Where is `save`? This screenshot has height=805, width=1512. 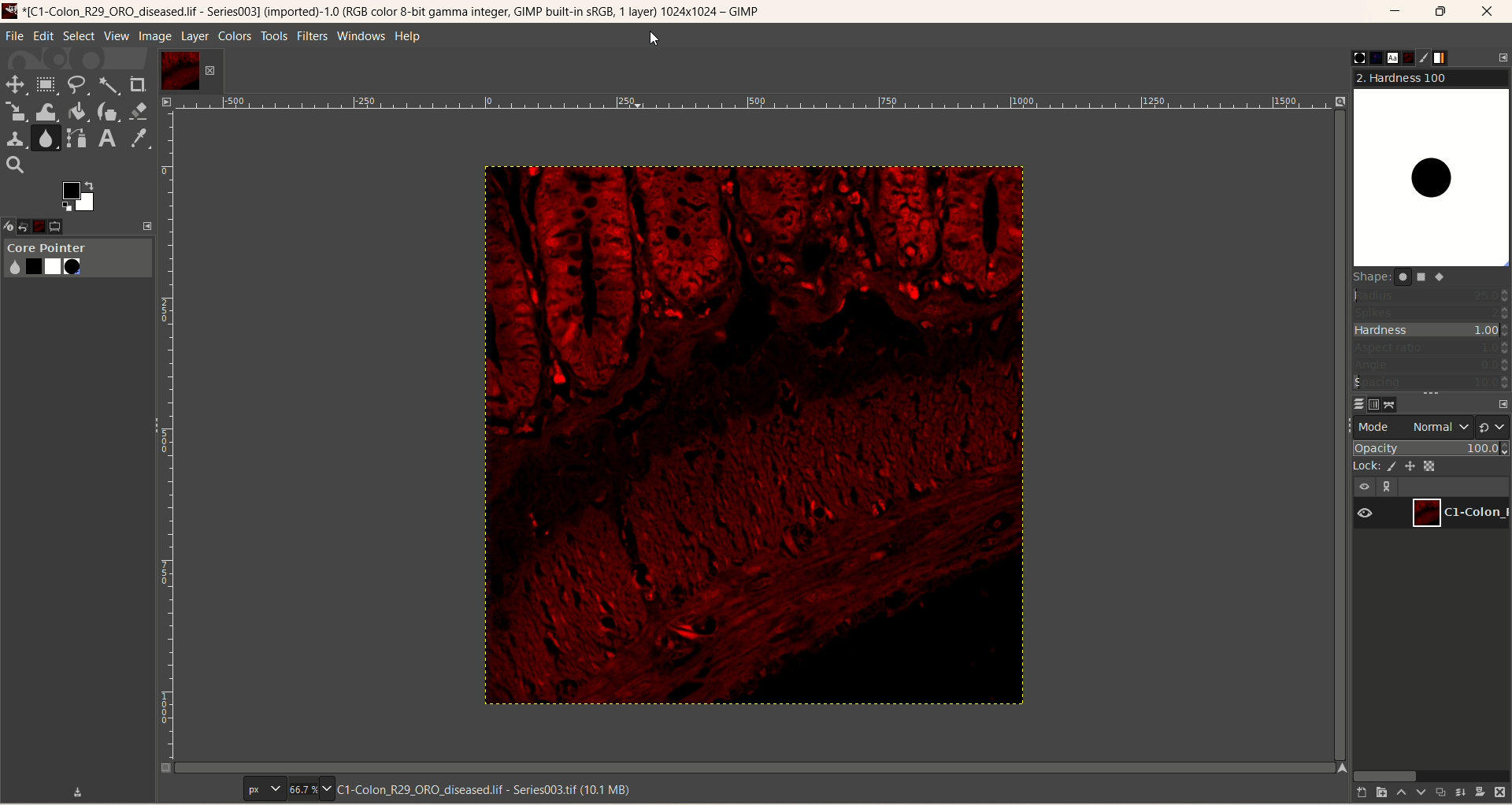 save is located at coordinates (79, 790).